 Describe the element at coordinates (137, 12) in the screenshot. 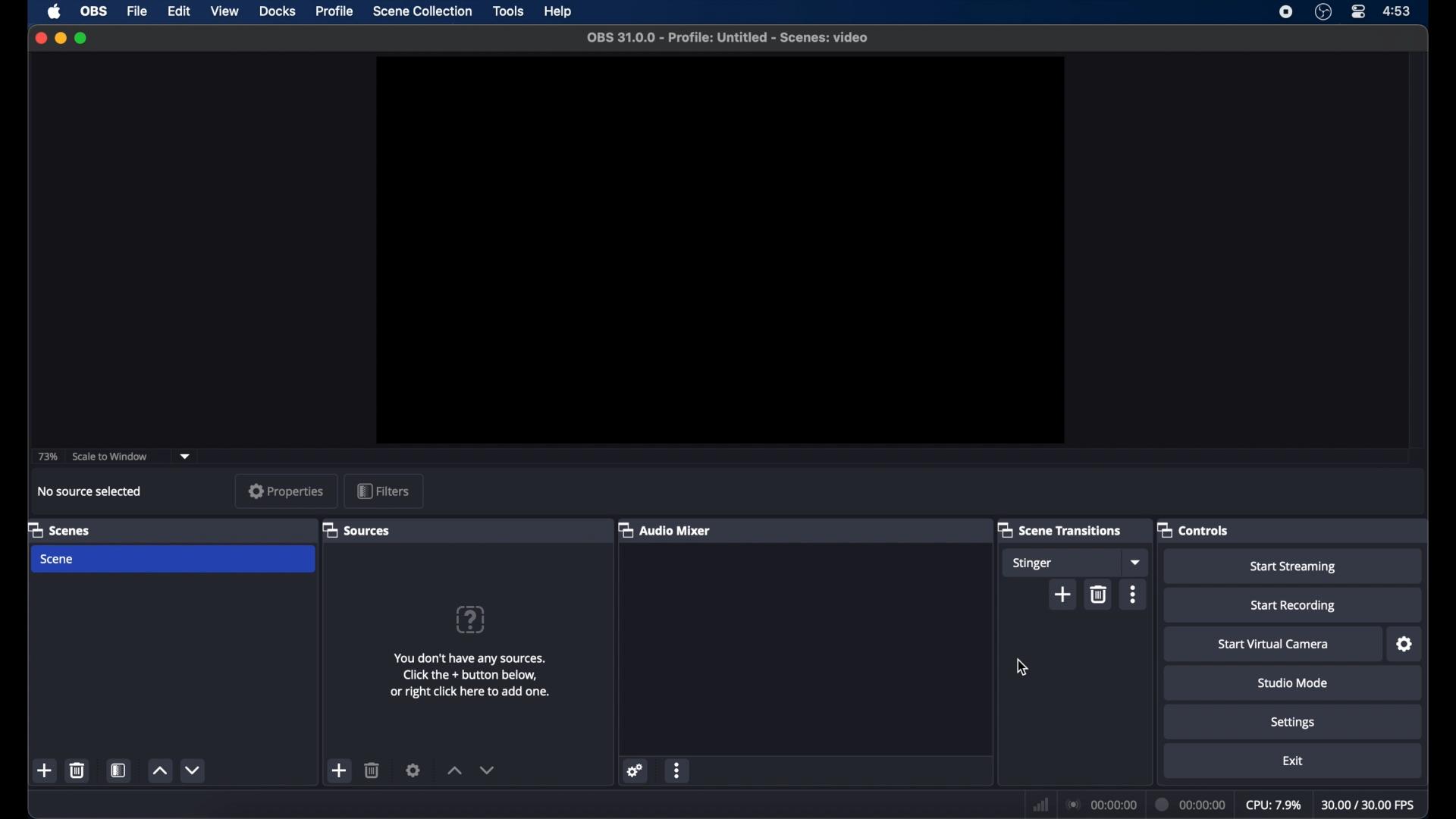

I see `file` at that location.